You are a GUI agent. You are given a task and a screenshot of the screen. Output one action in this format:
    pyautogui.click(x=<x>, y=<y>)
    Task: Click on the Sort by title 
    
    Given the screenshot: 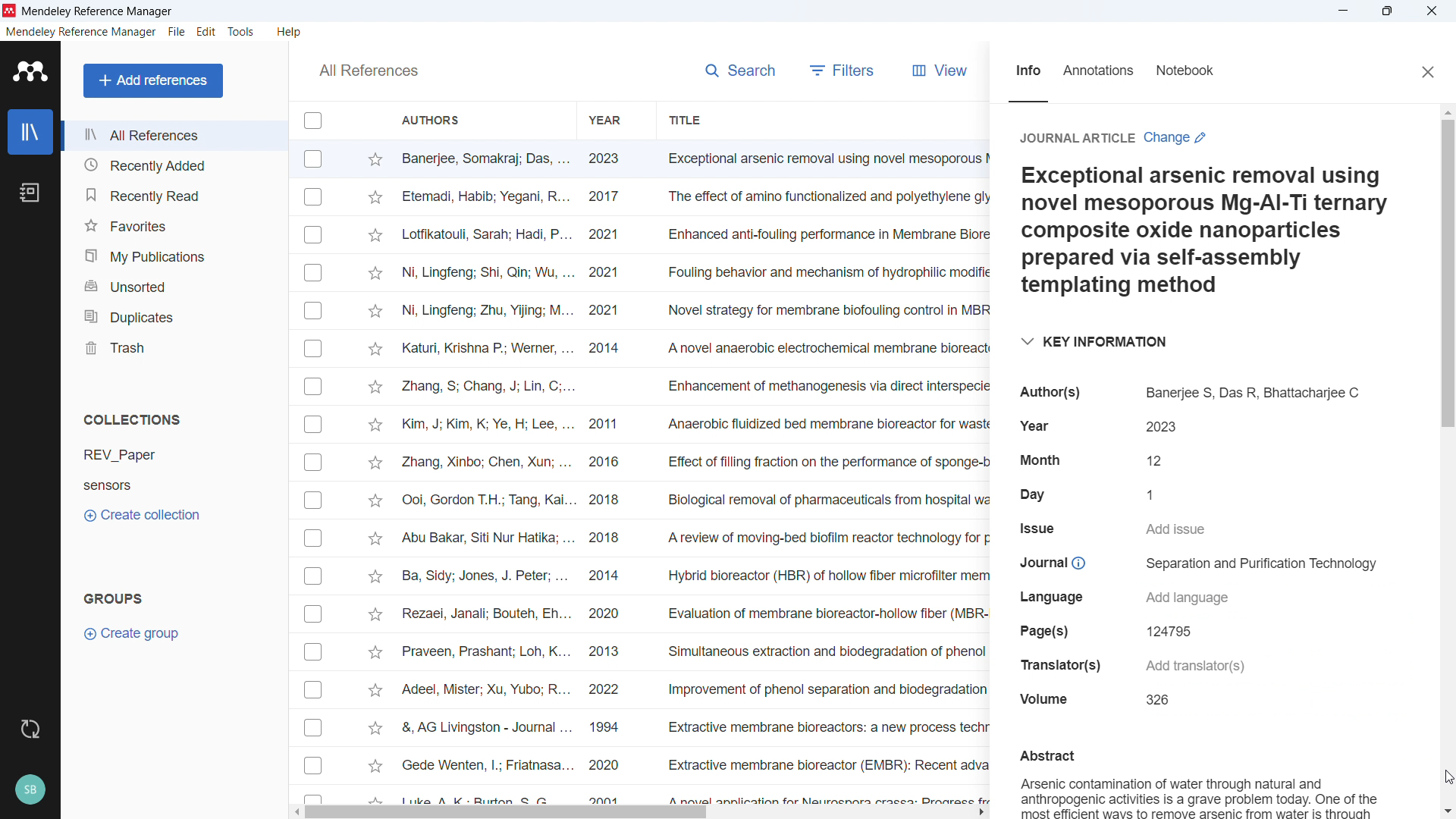 What is the action you would take?
    pyautogui.click(x=687, y=120)
    